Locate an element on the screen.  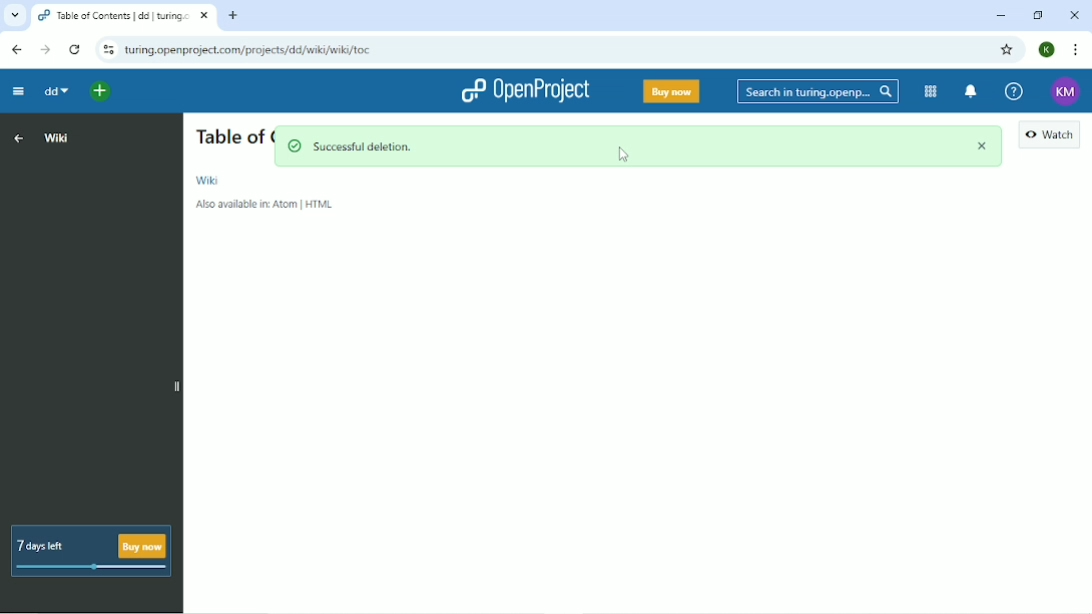
Help is located at coordinates (1015, 90).